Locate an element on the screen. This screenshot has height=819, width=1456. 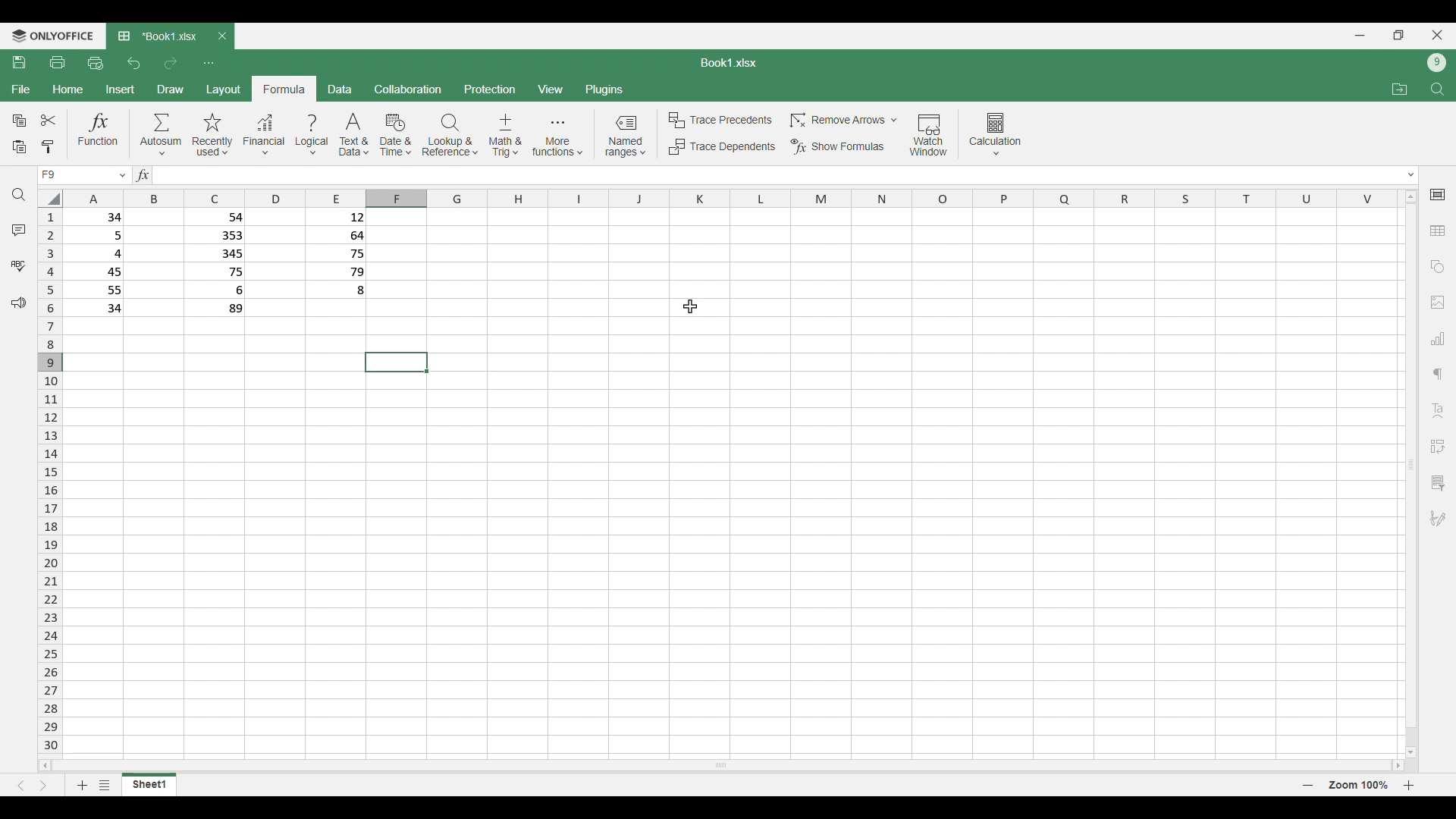
Close tab is located at coordinates (223, 36).